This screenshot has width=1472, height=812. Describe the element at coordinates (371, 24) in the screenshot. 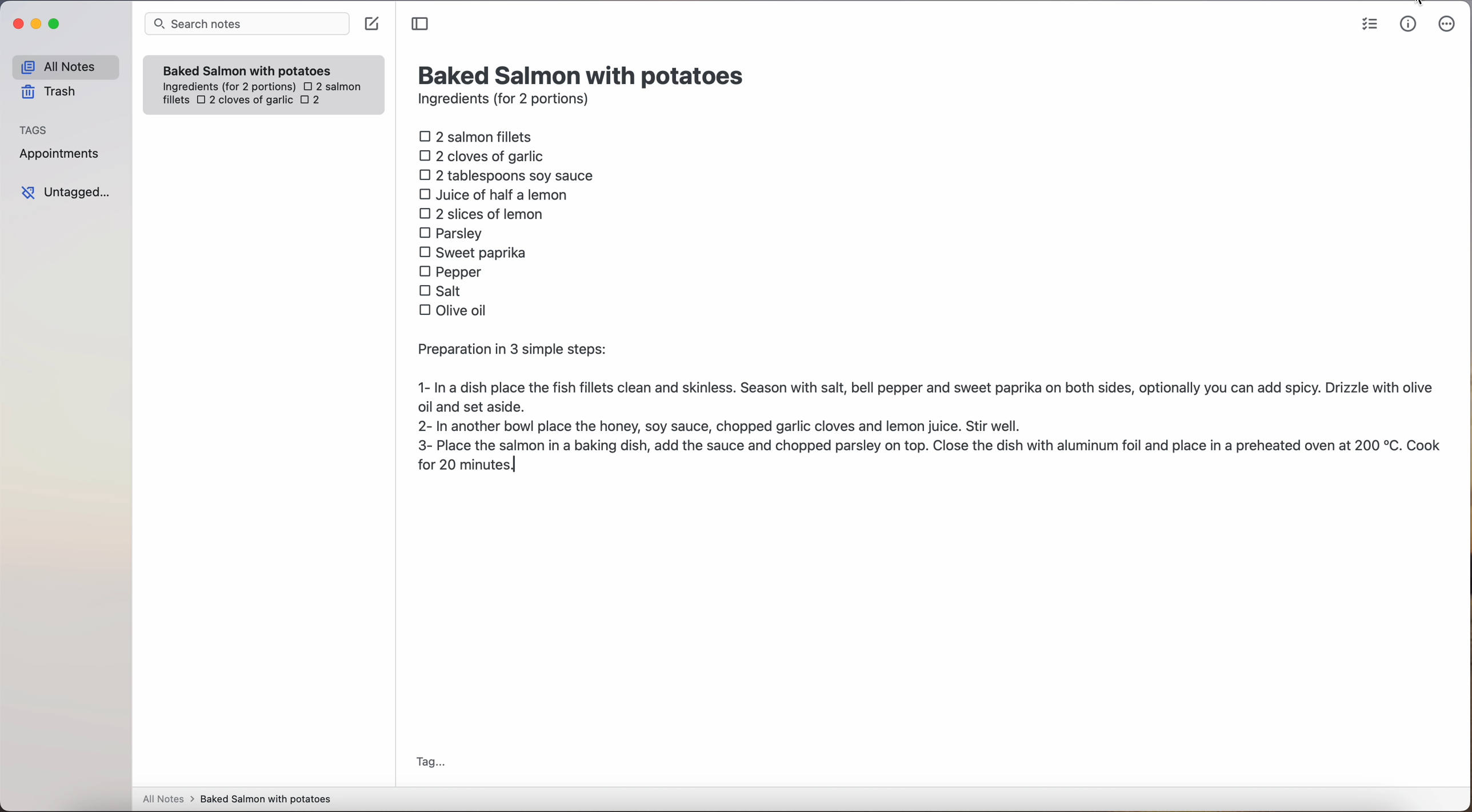

I see `create note` at that location.